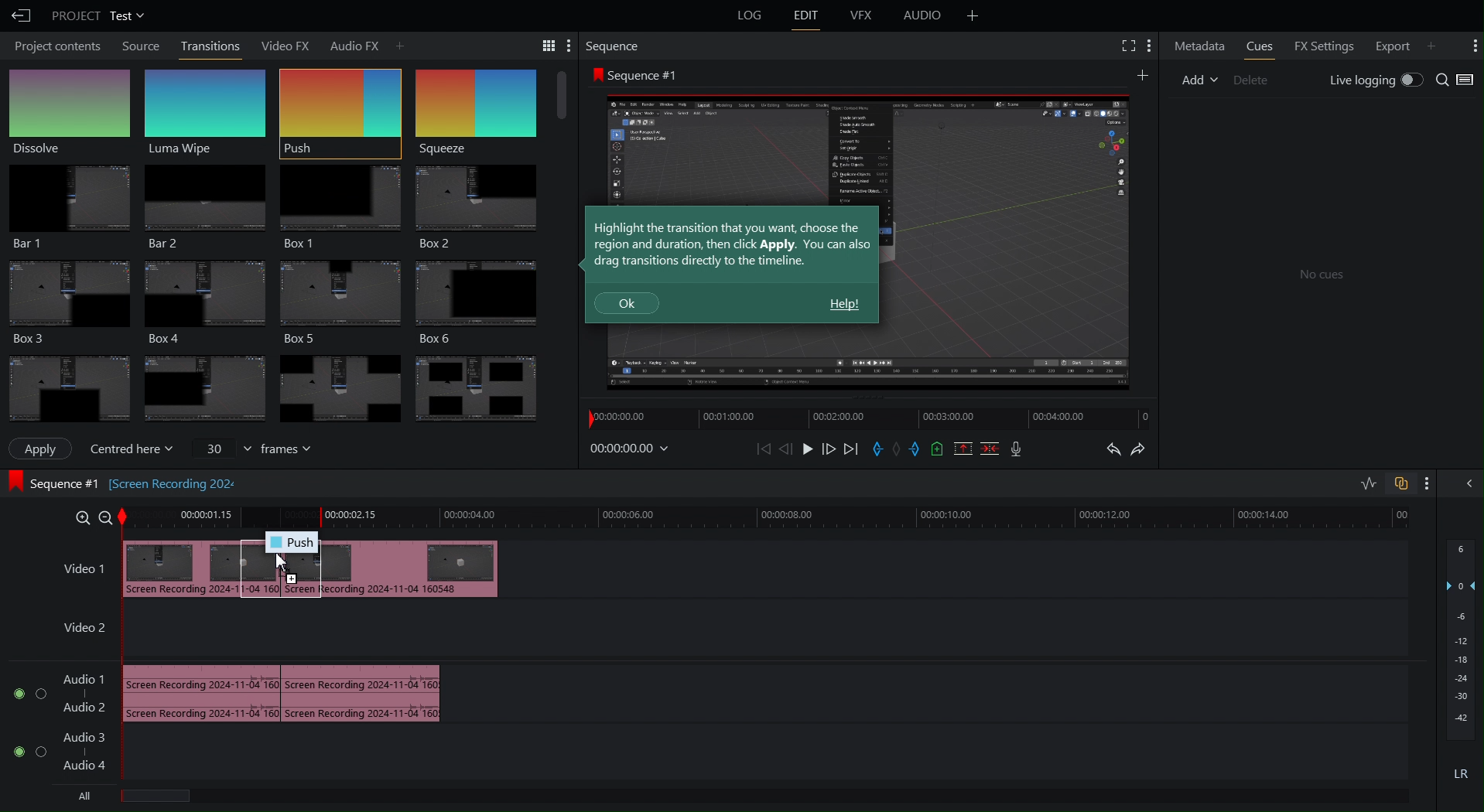  What do you see at coordinates (926, 15) in the screenshot?
I see `Audio` at bounding box center [926, 15].